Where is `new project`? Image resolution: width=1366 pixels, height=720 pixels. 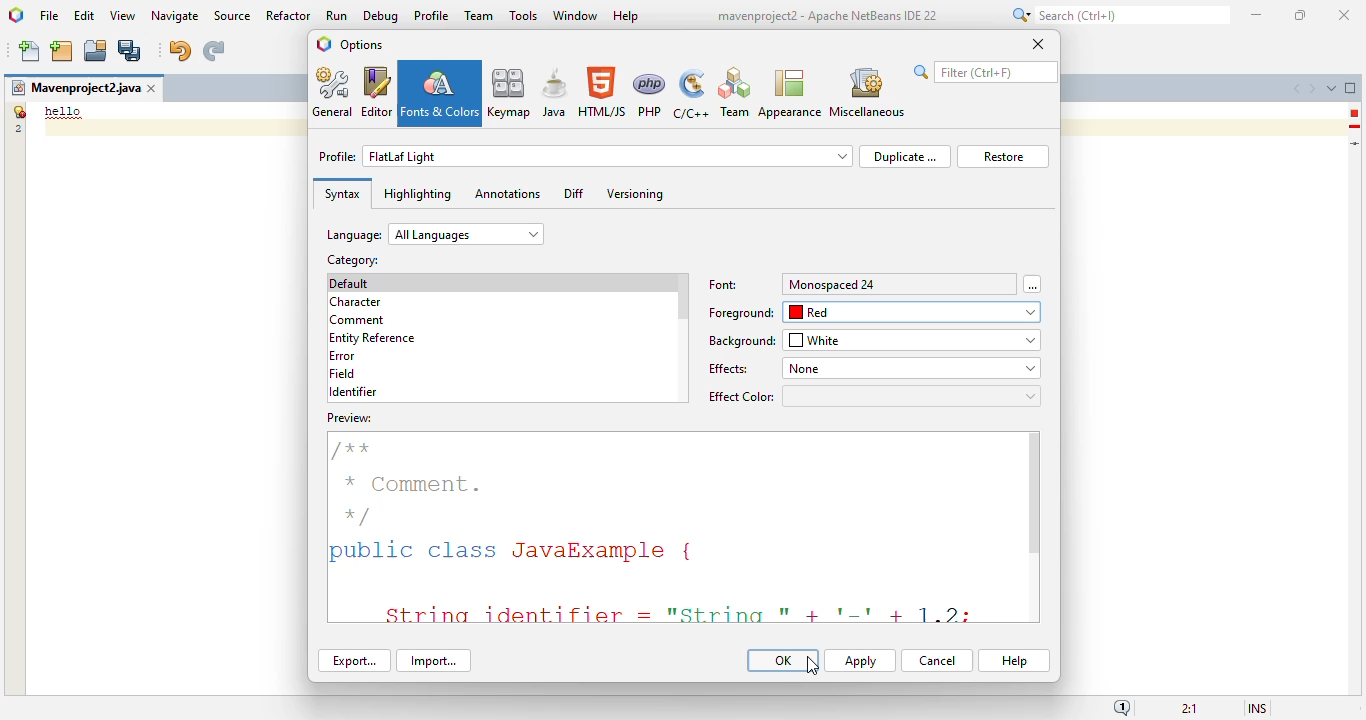
new project is located at coordinates (61, 51).